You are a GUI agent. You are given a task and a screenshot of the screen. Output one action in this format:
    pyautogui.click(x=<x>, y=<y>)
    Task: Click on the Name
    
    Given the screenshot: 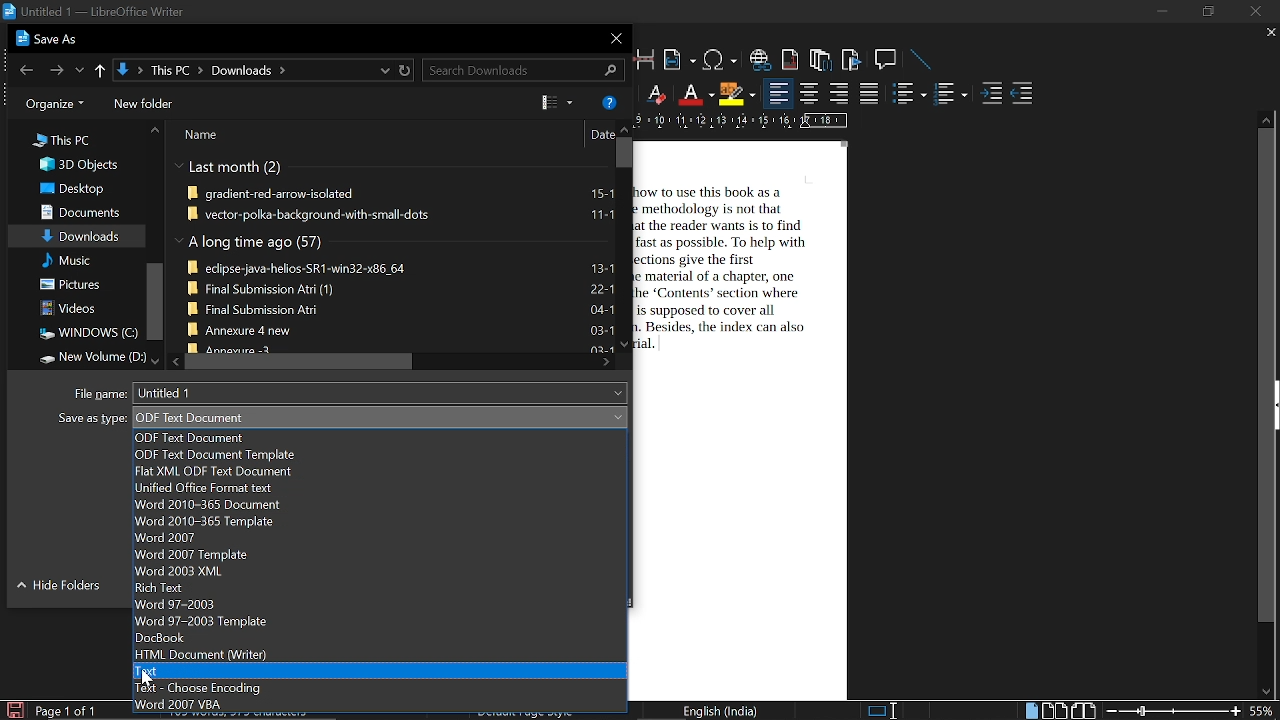 What is the action you would take?
    pyautogui.click(x=206, y=136)
    